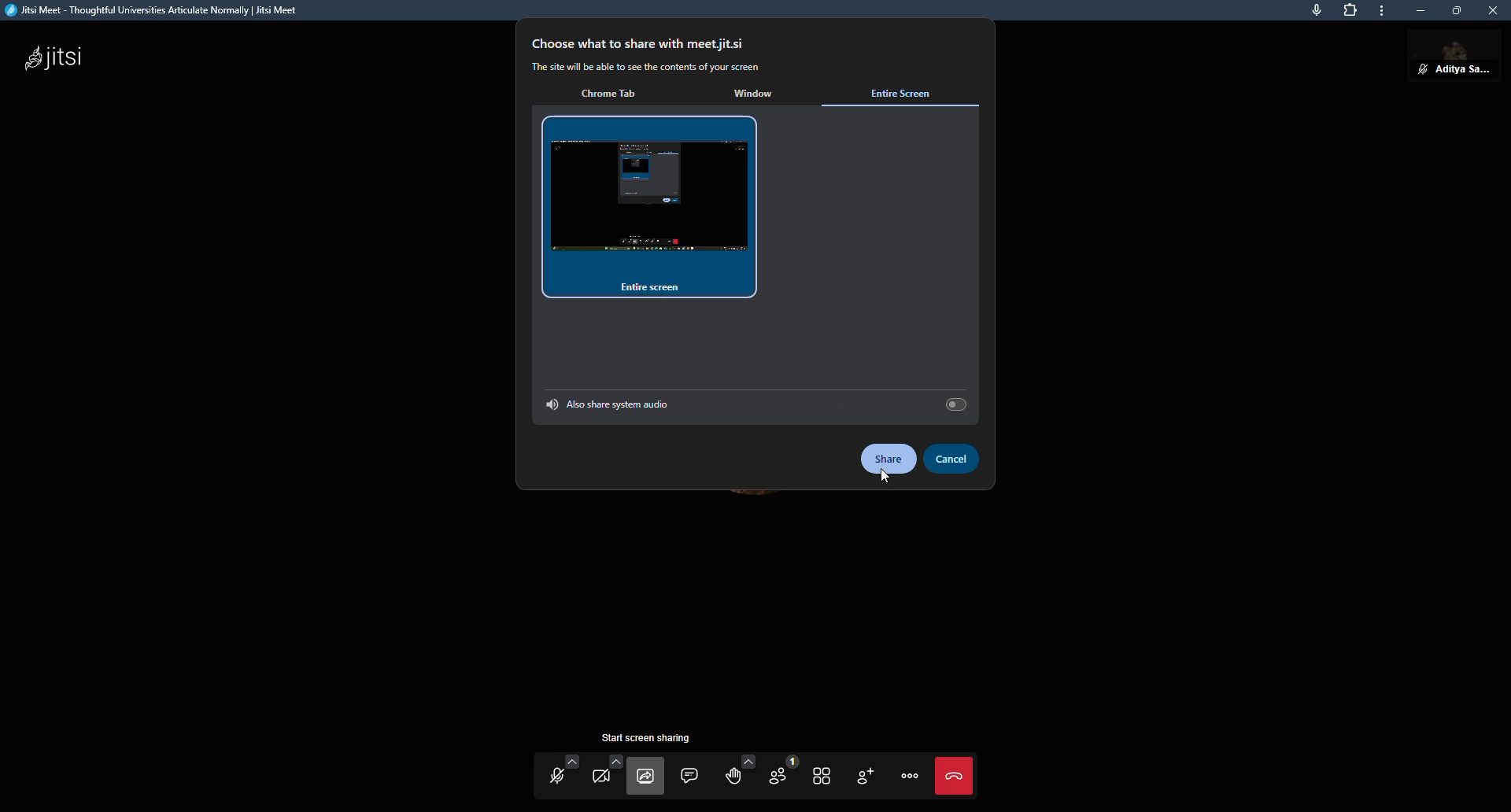  Describe the element at coordinates (781, 773) in the screenshot. I see `participants` at that location.